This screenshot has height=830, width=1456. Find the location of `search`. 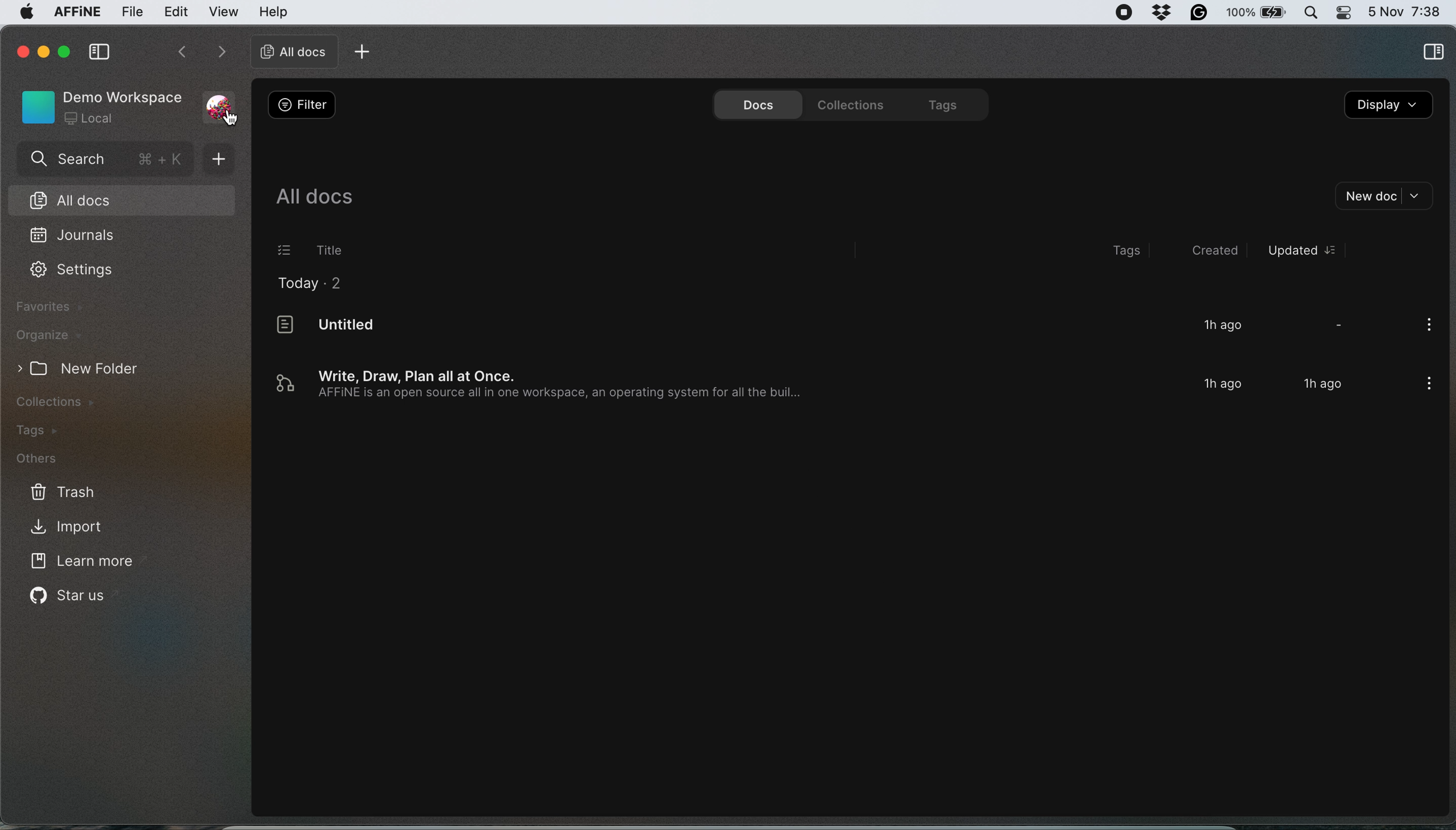

search is located at coordinates (104, 161).